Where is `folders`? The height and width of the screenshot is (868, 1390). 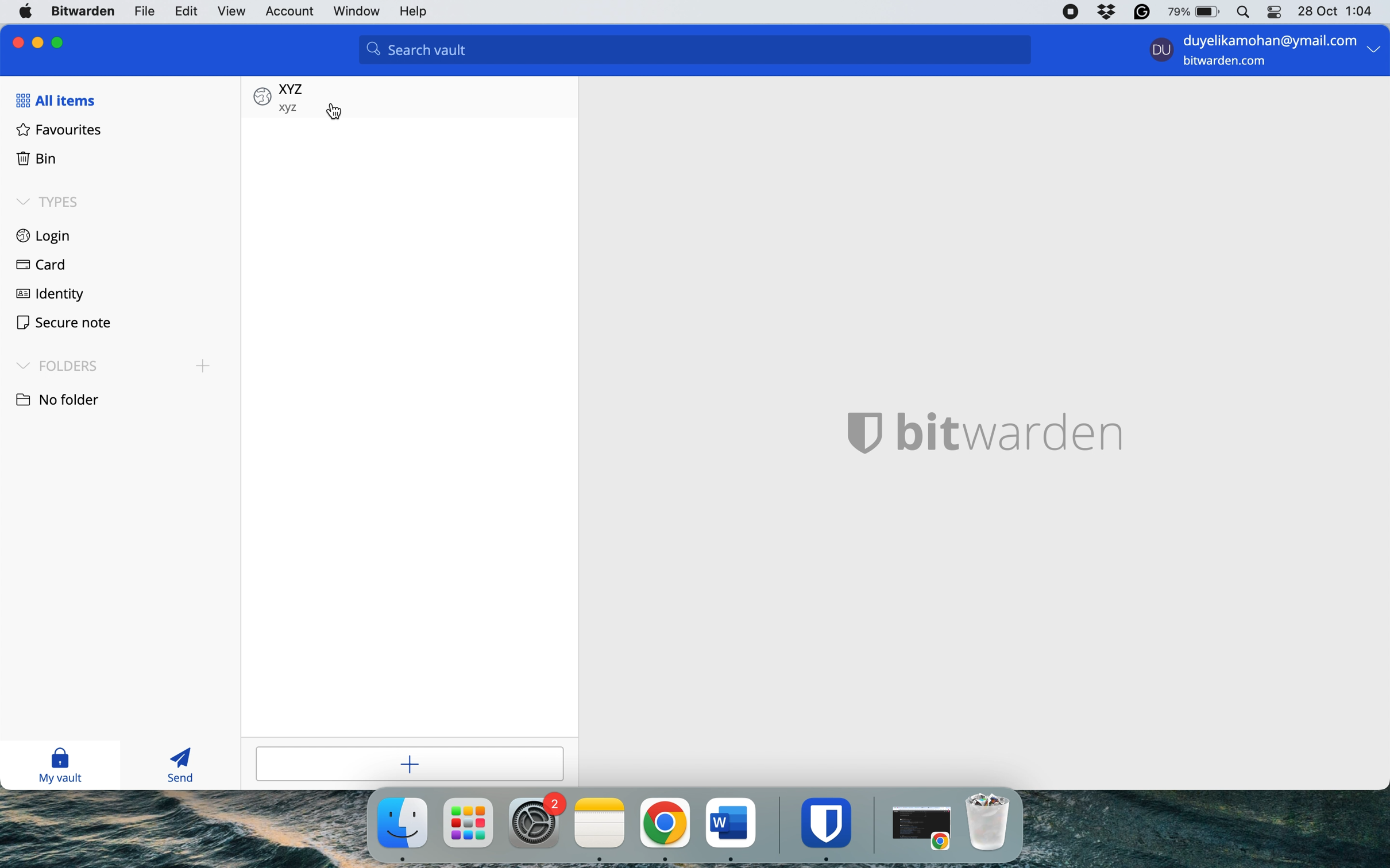 folders is located at coordinates (116, 364).